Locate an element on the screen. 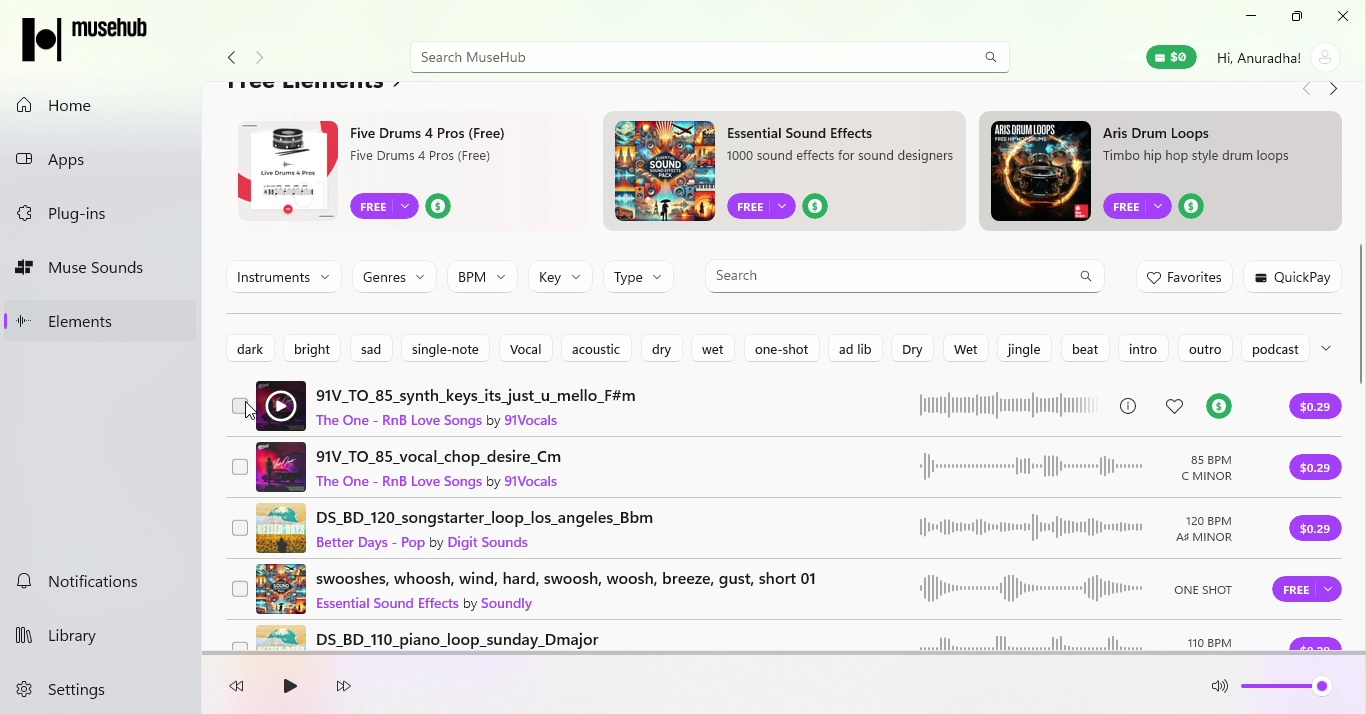  Rewind is located at coordinates (242, 689).